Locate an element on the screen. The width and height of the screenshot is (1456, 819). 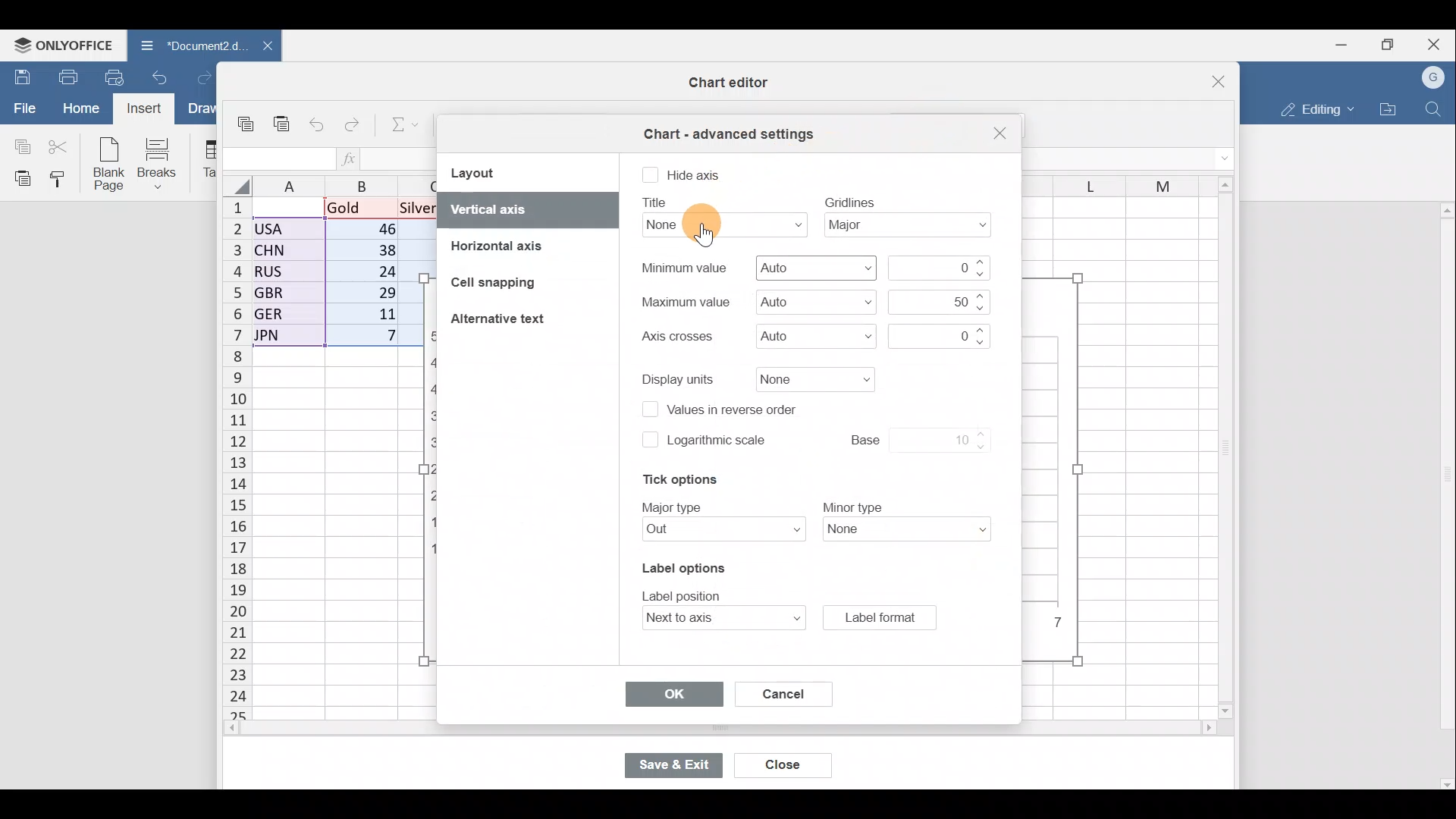
Display units is located at coordinates (811, 380).